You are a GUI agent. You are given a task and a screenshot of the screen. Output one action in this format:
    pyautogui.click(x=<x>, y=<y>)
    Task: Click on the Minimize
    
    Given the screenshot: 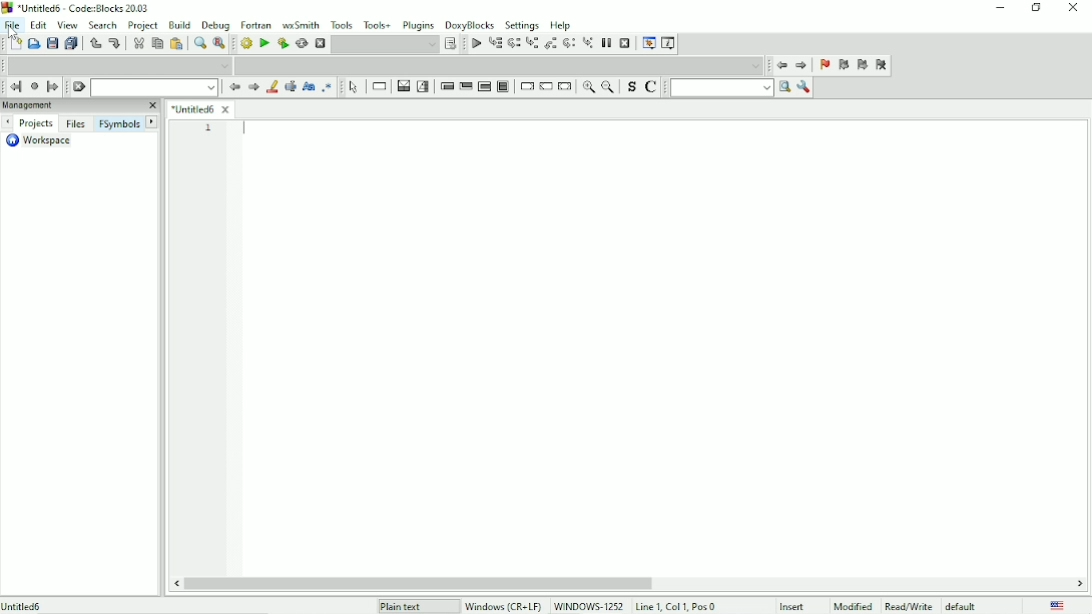 What is the action you would take?
    pyautogui.click(x=997, y=9)
    